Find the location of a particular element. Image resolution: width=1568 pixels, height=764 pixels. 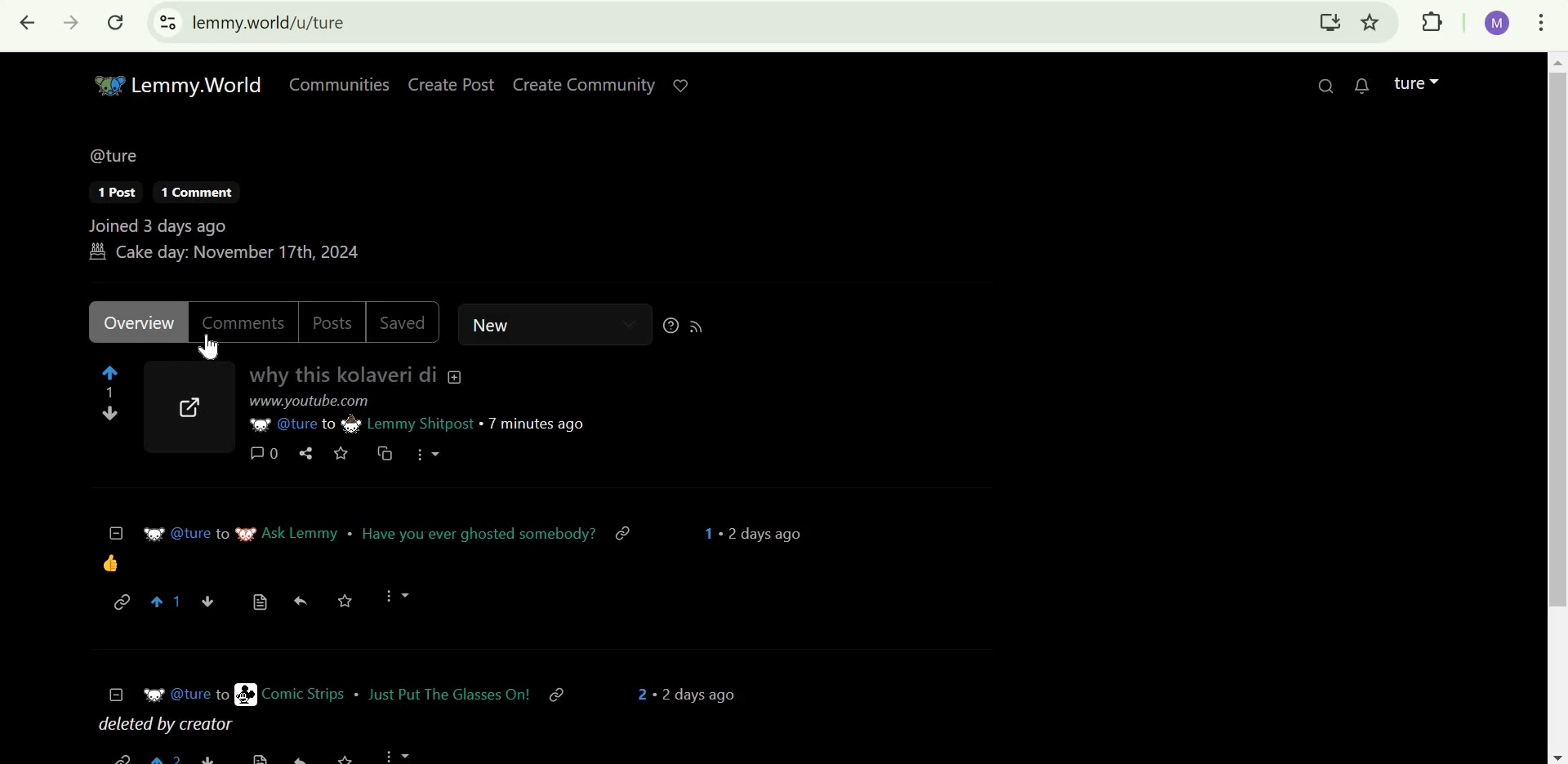

save is located at coordinates (345, 600).